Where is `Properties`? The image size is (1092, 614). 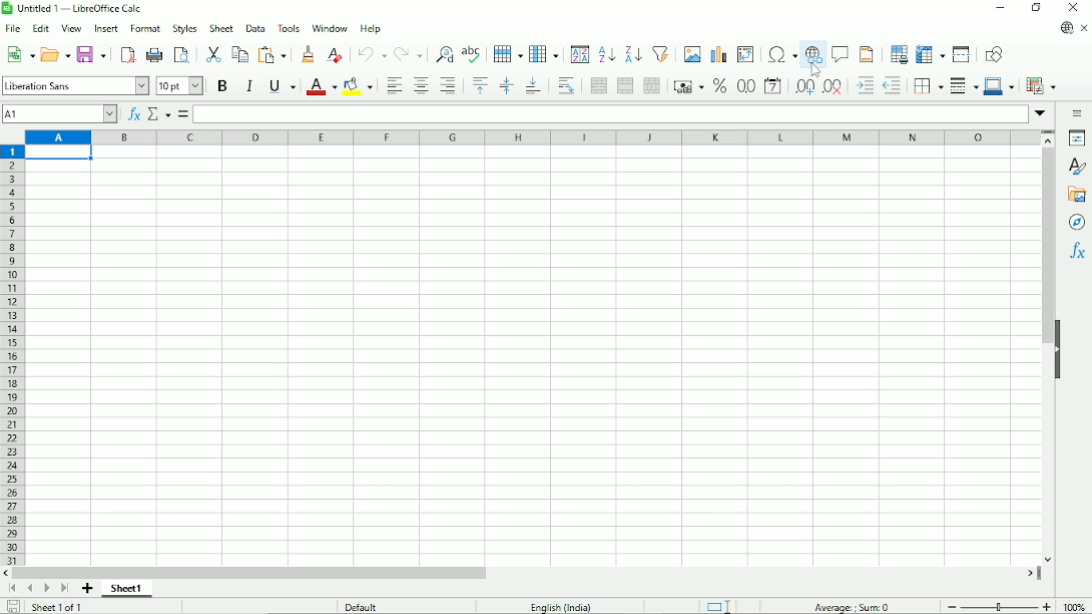 Properties is located at coordinates (1076, 138).